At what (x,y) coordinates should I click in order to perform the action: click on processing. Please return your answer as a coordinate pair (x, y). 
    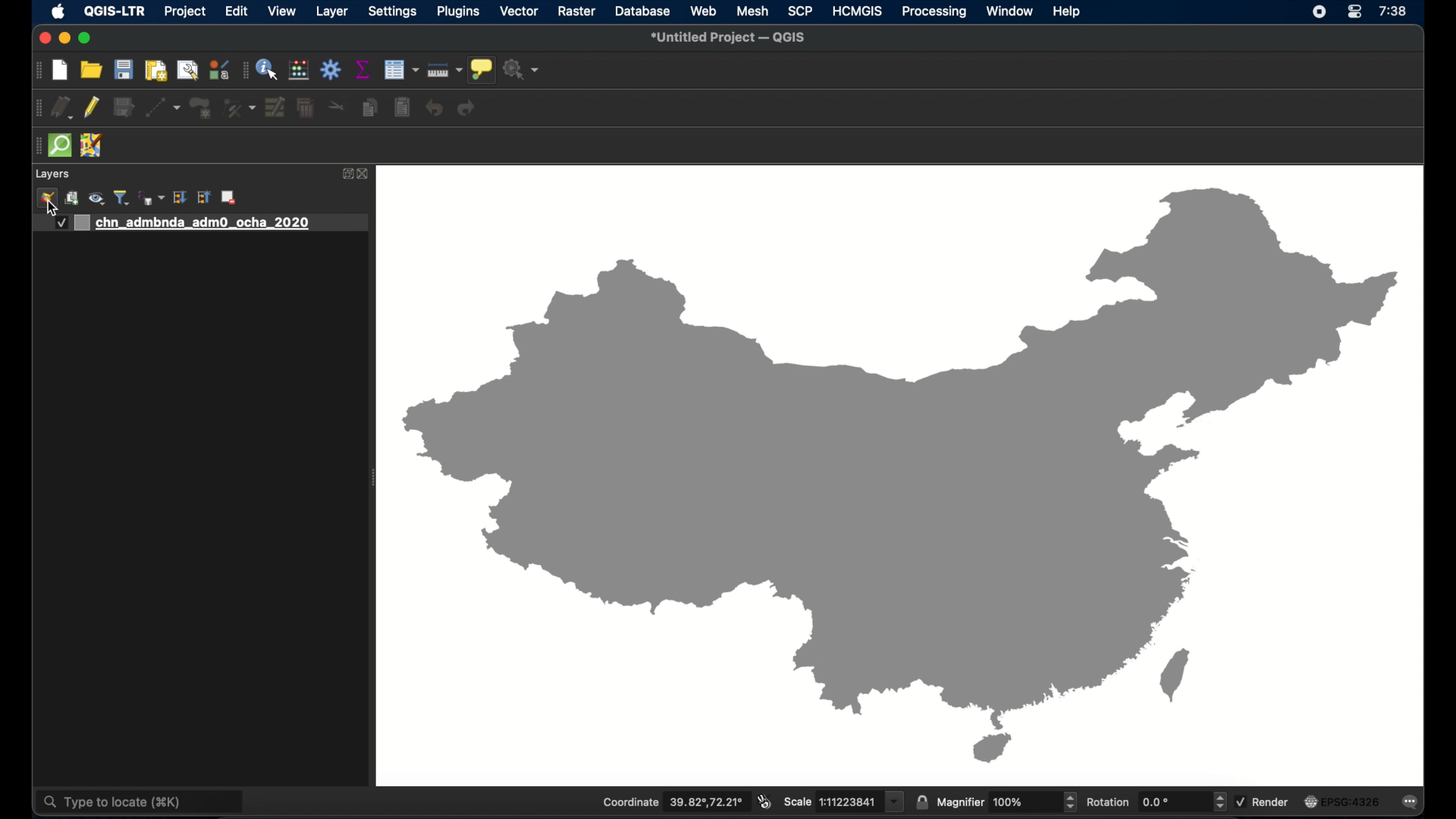
    Looking at the image, I should click on (934, 12).